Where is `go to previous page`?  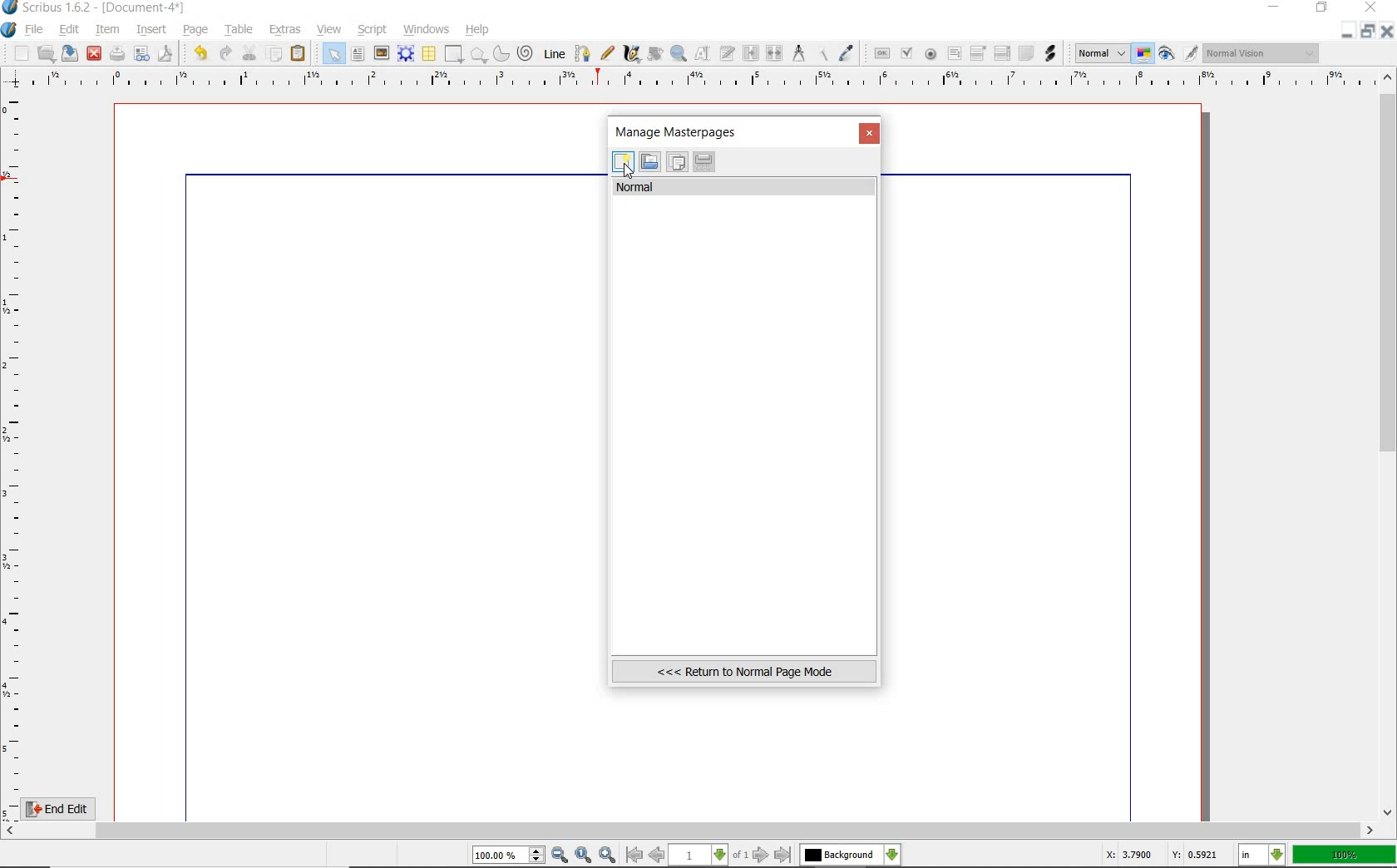
go to previous page is located at coordinates (659, 856).